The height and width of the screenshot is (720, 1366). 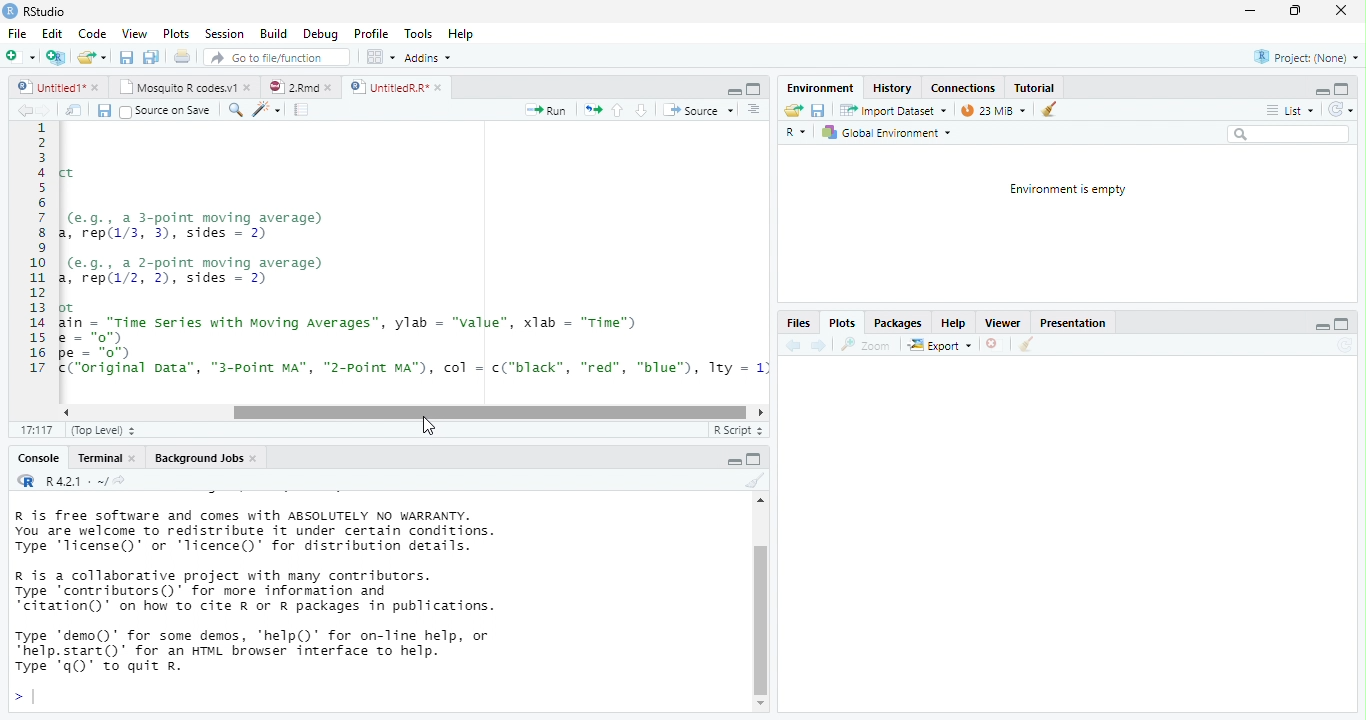 What do you see at coordinates (74, 480) in the screenshot?
I see `R 4.2.1 . ~/` at bounding box center [74, 480].